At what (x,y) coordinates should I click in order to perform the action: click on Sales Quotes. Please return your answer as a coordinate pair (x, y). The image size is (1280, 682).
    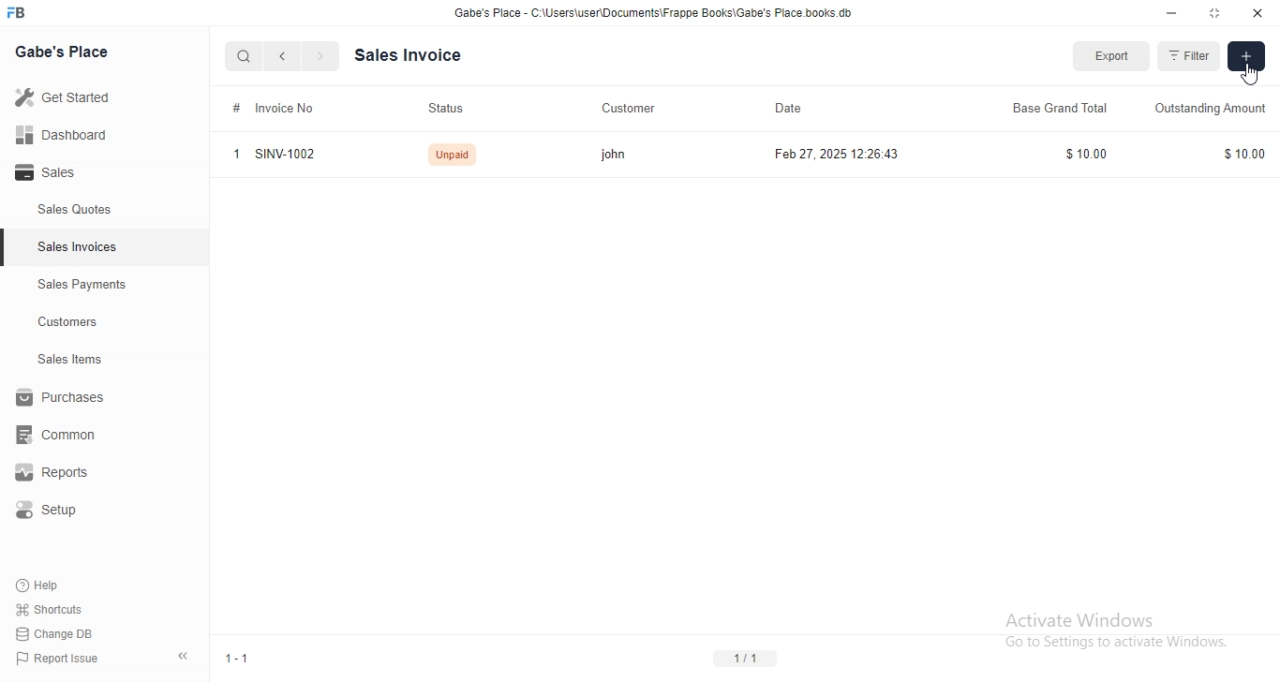
    Looking at the image, I should click on (64, 210).